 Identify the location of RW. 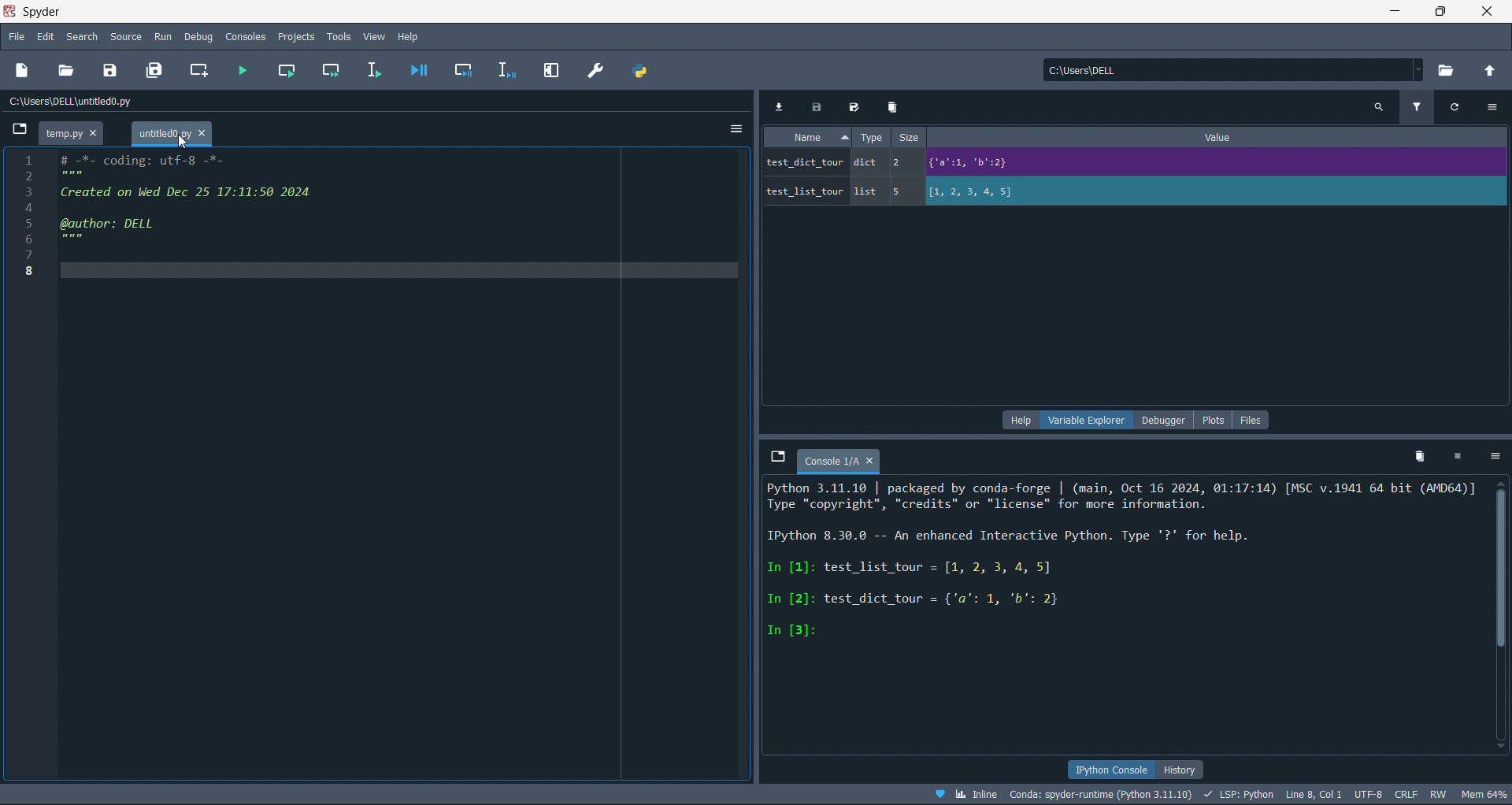
(1440, 796).